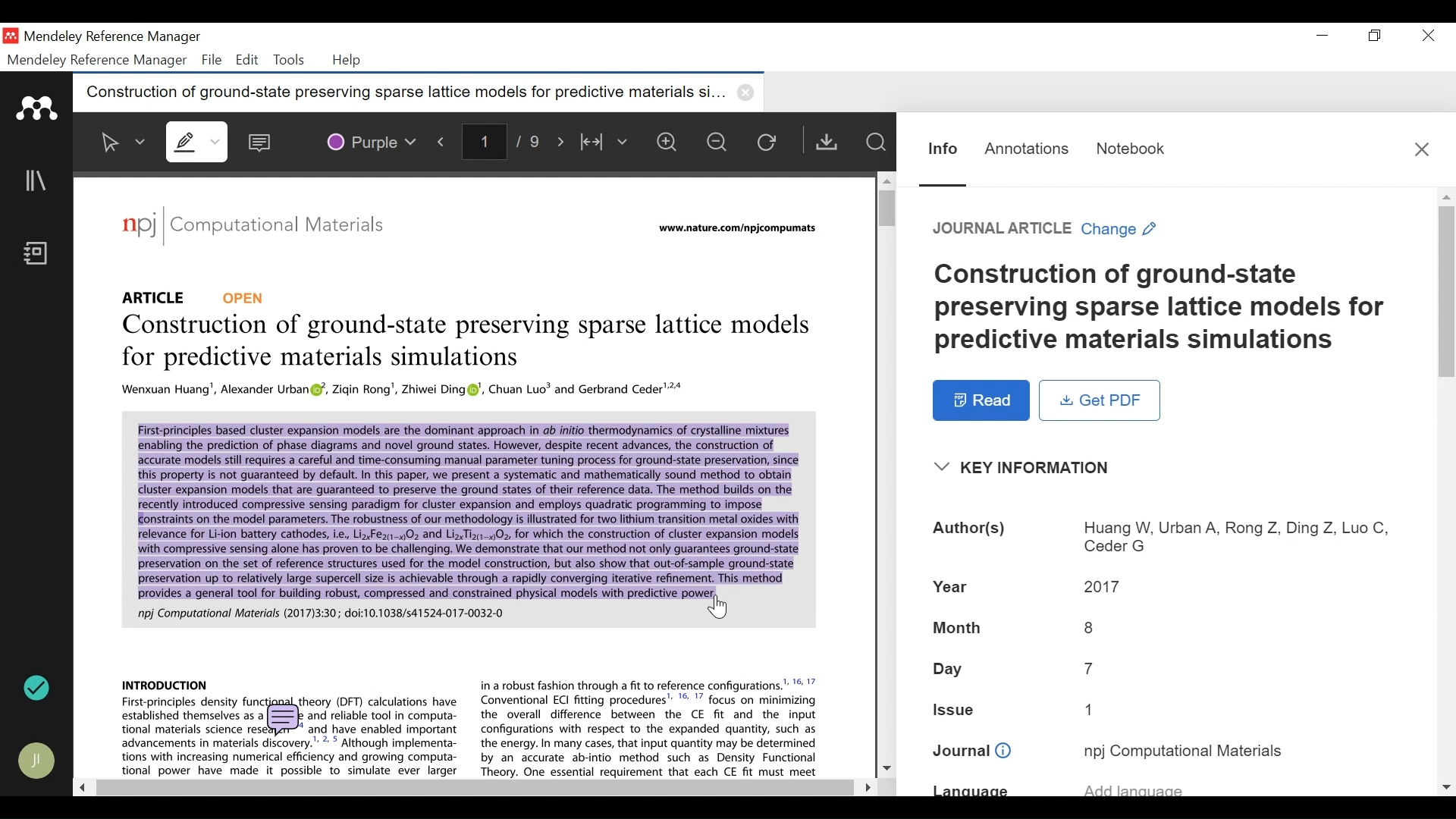 Image resolution: width=1456 pixels, height=819 pixels. What do you see at coordinates (212, 60) in the screenshot?
I see `File` at bounding box center [212, 60].